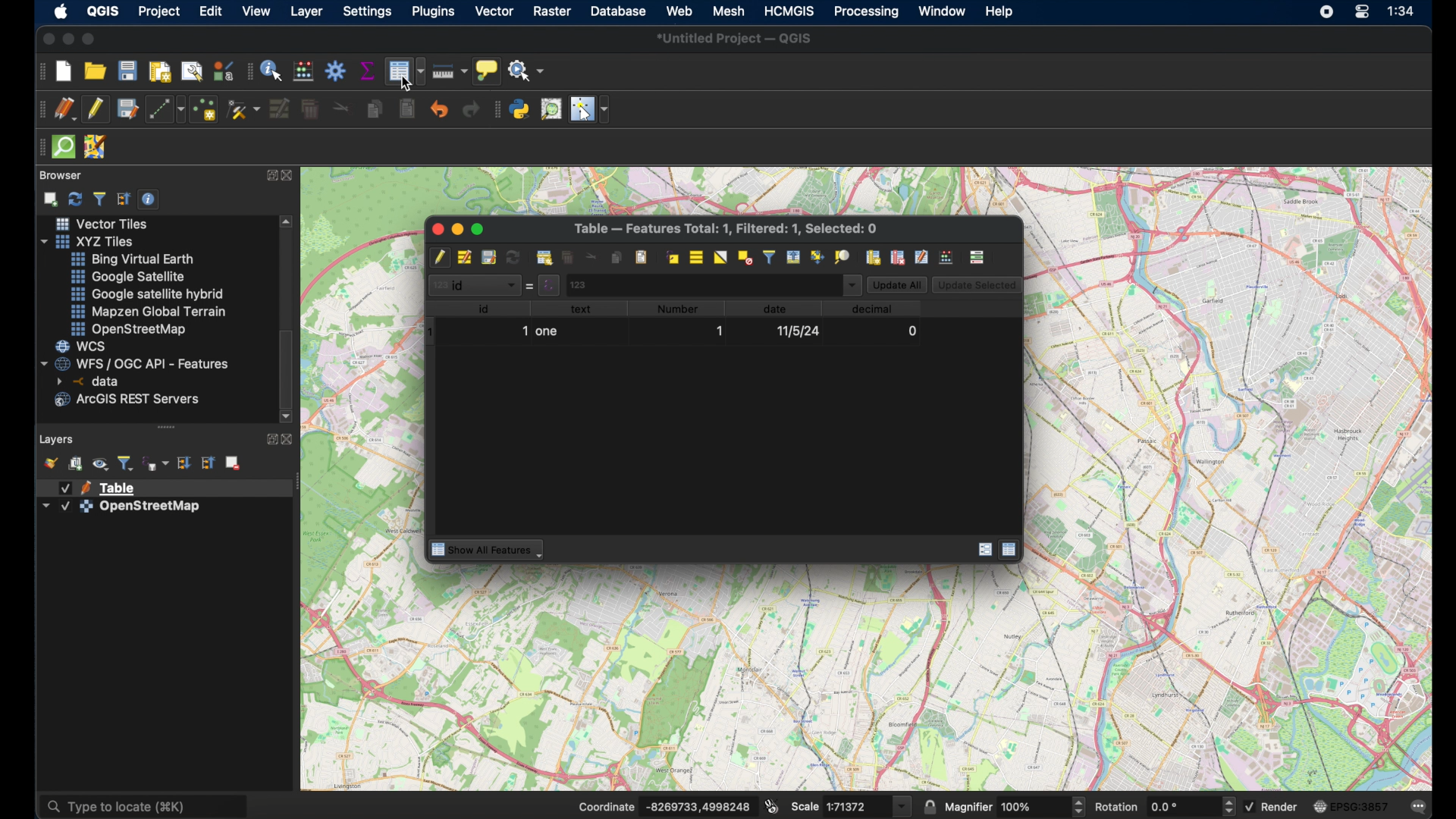 The image size is (1456, 819). Describe the element at coordinates (103, 11) in the screenshot. I see `QGIS` at that location.